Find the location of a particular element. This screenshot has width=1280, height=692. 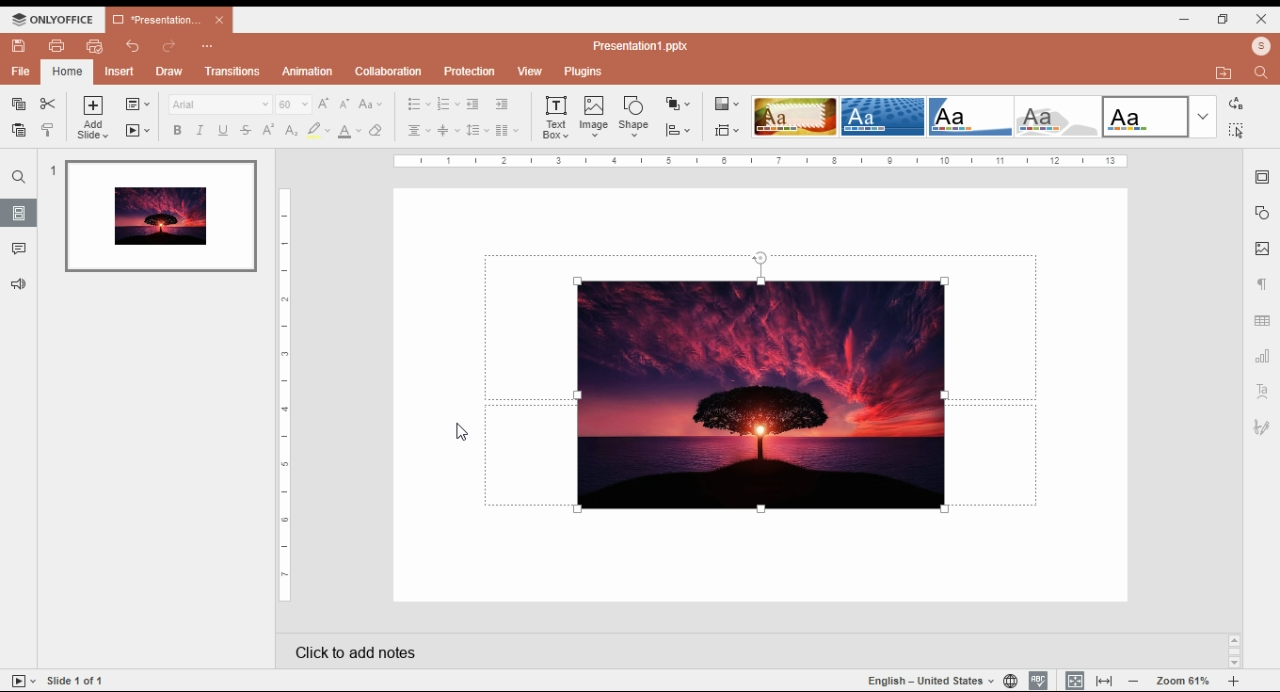

subscript is located at coordinates (291, 131).